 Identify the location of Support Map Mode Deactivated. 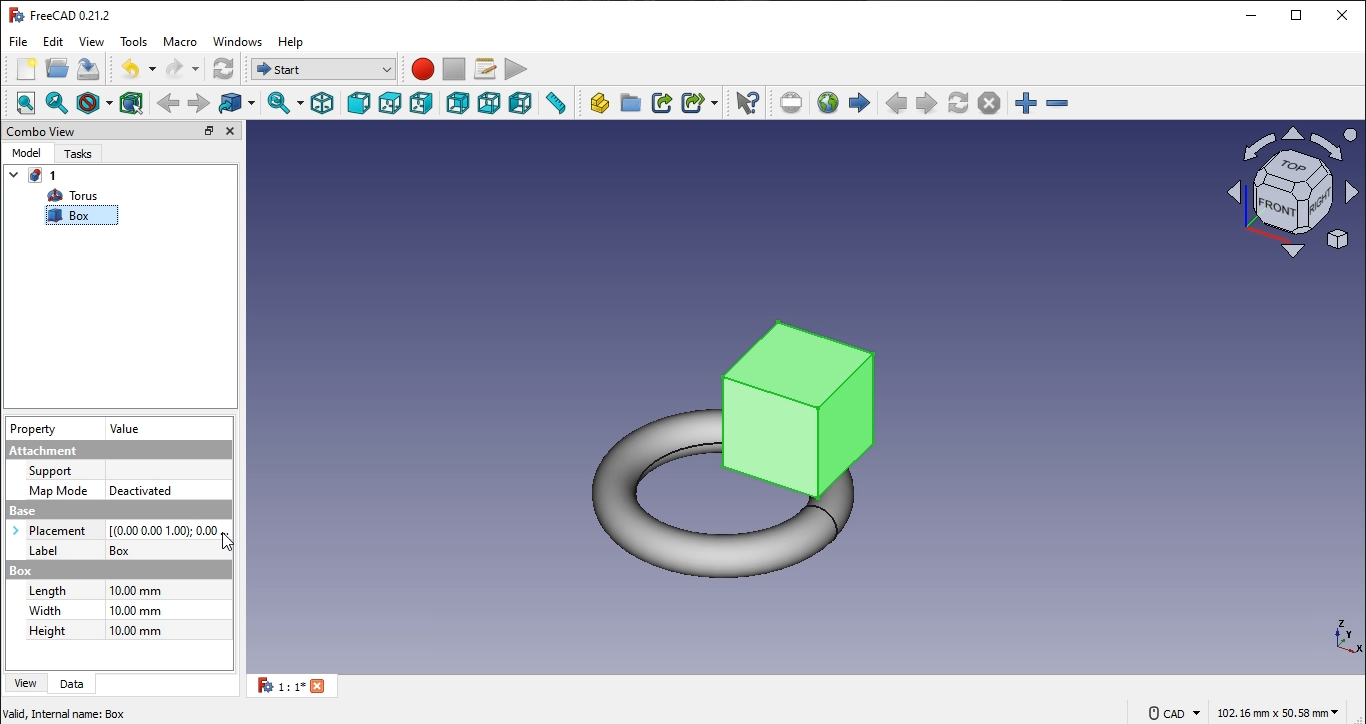
(115, 479).